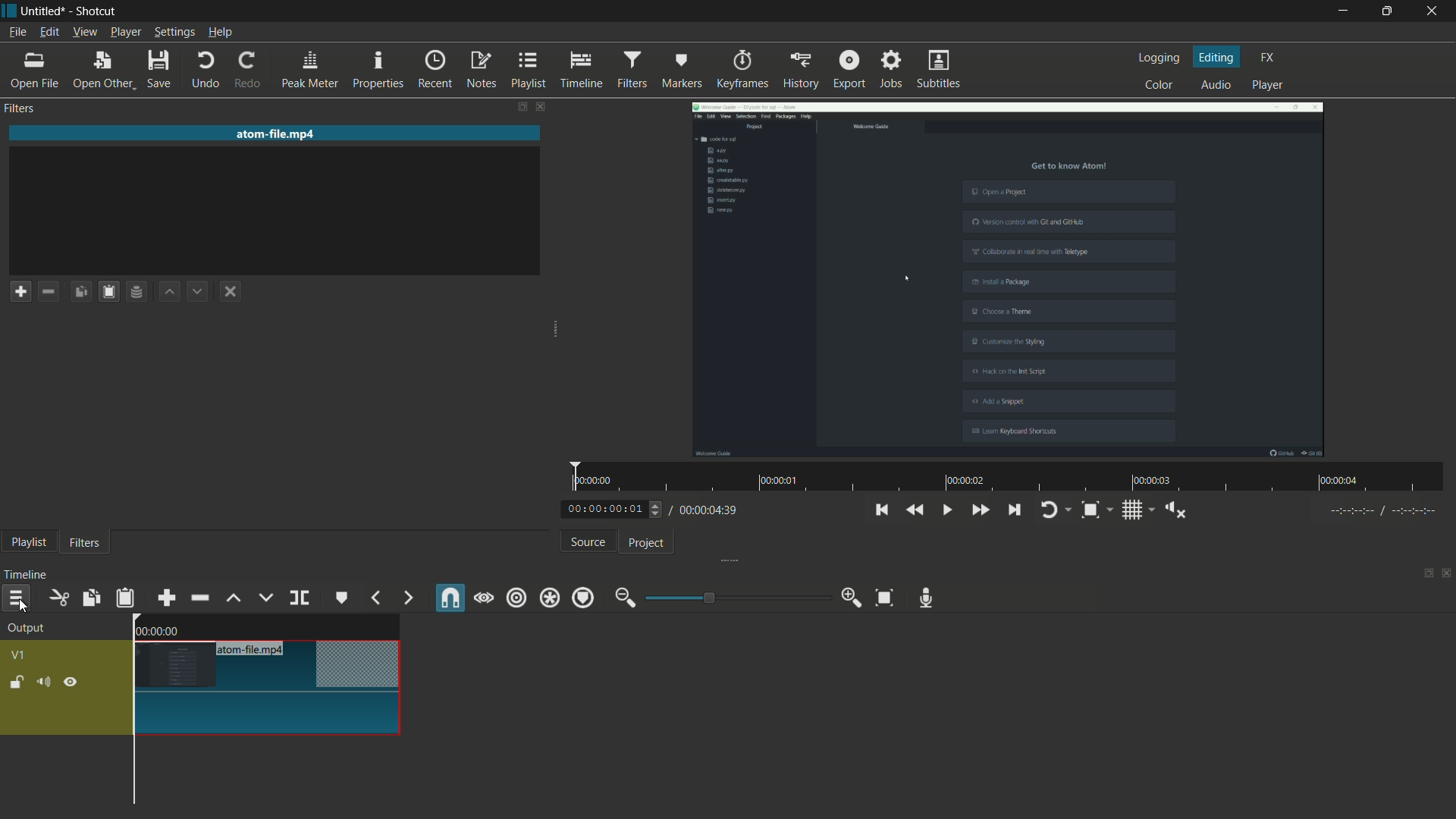 The image size is (1456, 819). What do you see at coordinates (615, 508) in the screenshot?
I see `adjust current time` at bounding box center [615, 508].